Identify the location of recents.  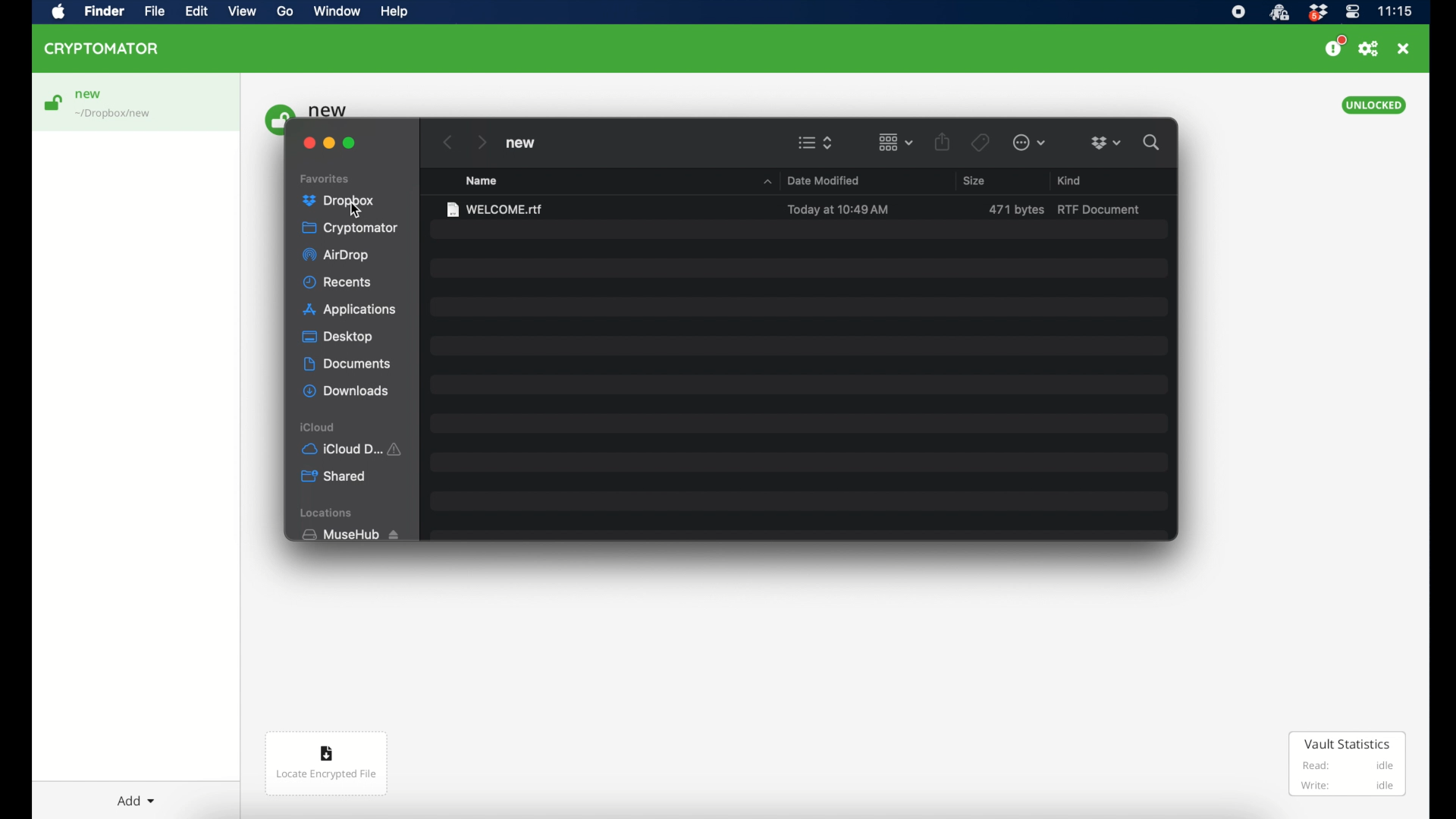
(337, 282).